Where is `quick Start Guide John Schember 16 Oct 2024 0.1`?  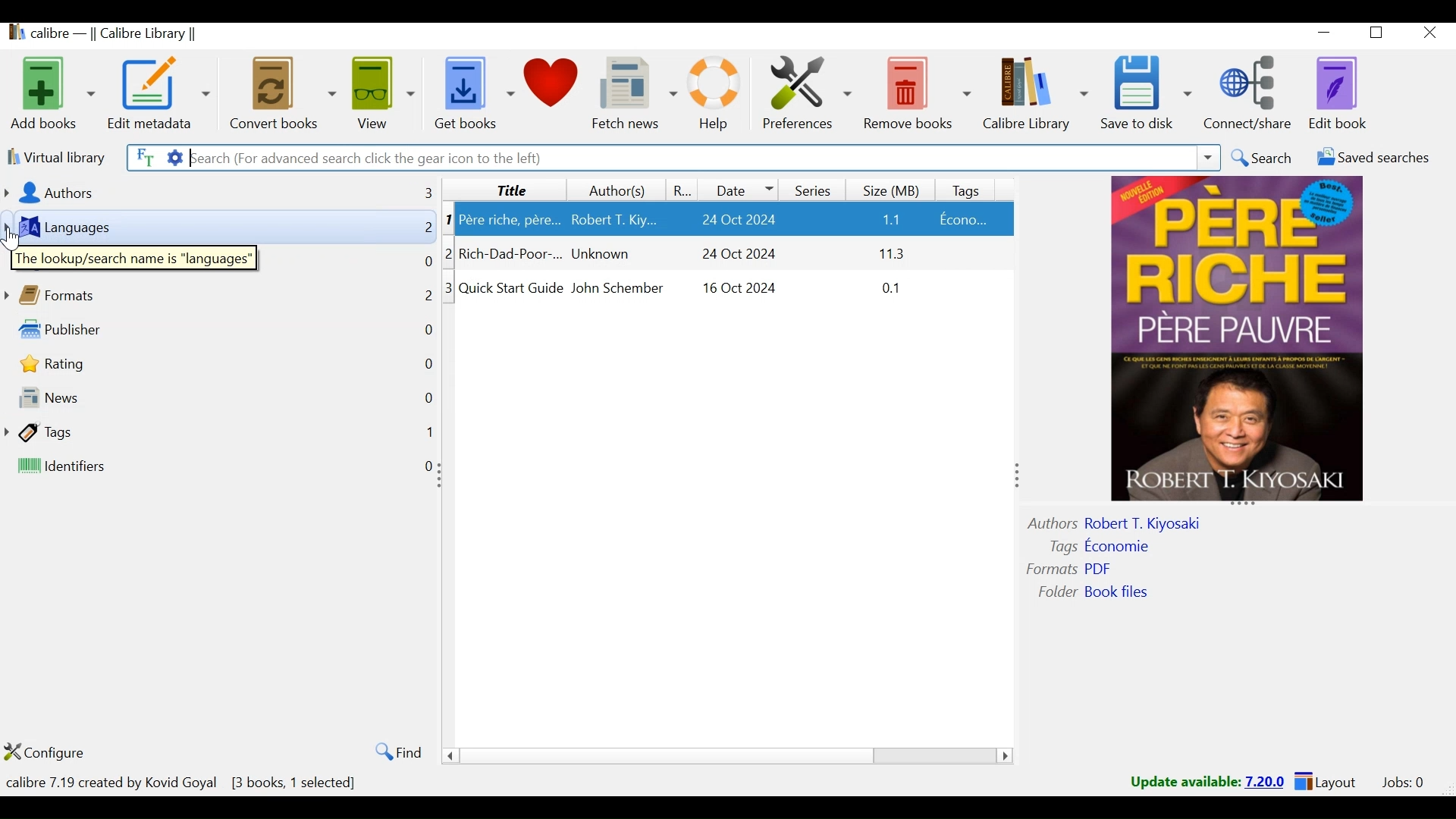 quick Start Guide John Schember 16 Oct 2024 0.1 is located at coordinates (736, 295).